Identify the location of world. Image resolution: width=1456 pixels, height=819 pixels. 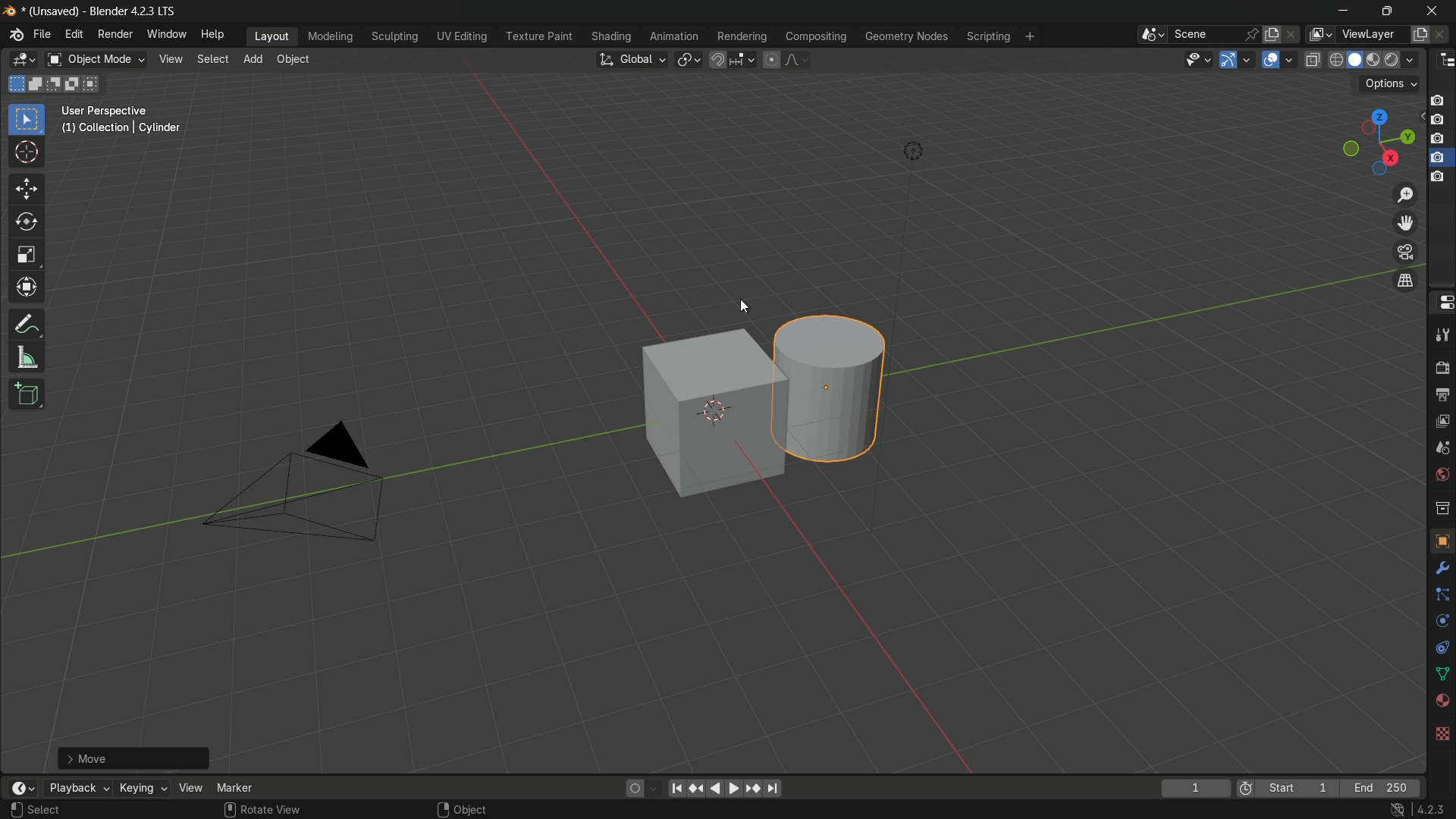
(1441, 476).